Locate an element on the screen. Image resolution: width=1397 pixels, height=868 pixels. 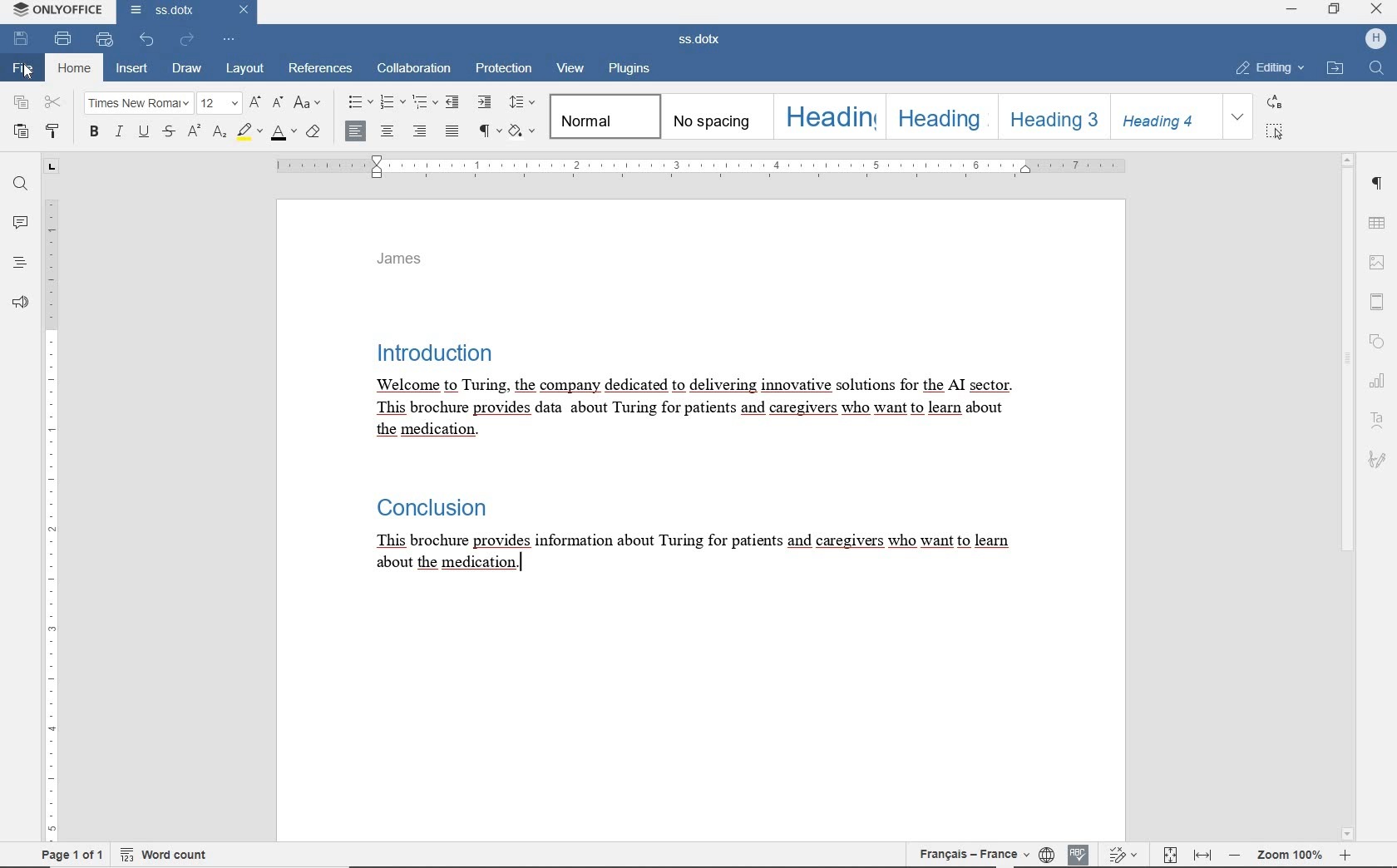
SUBSCRIPT is located at coordinates (219, 134).